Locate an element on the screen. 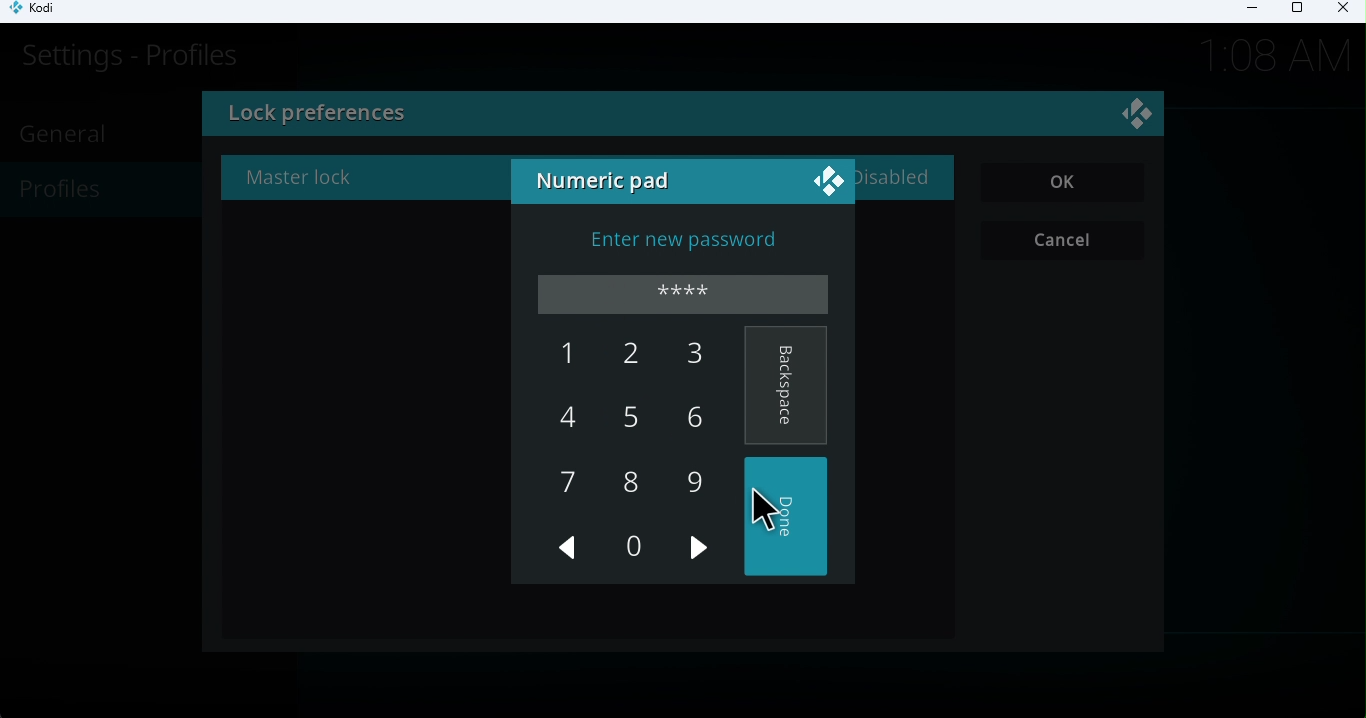  0 is located at coordinates (631, 546).